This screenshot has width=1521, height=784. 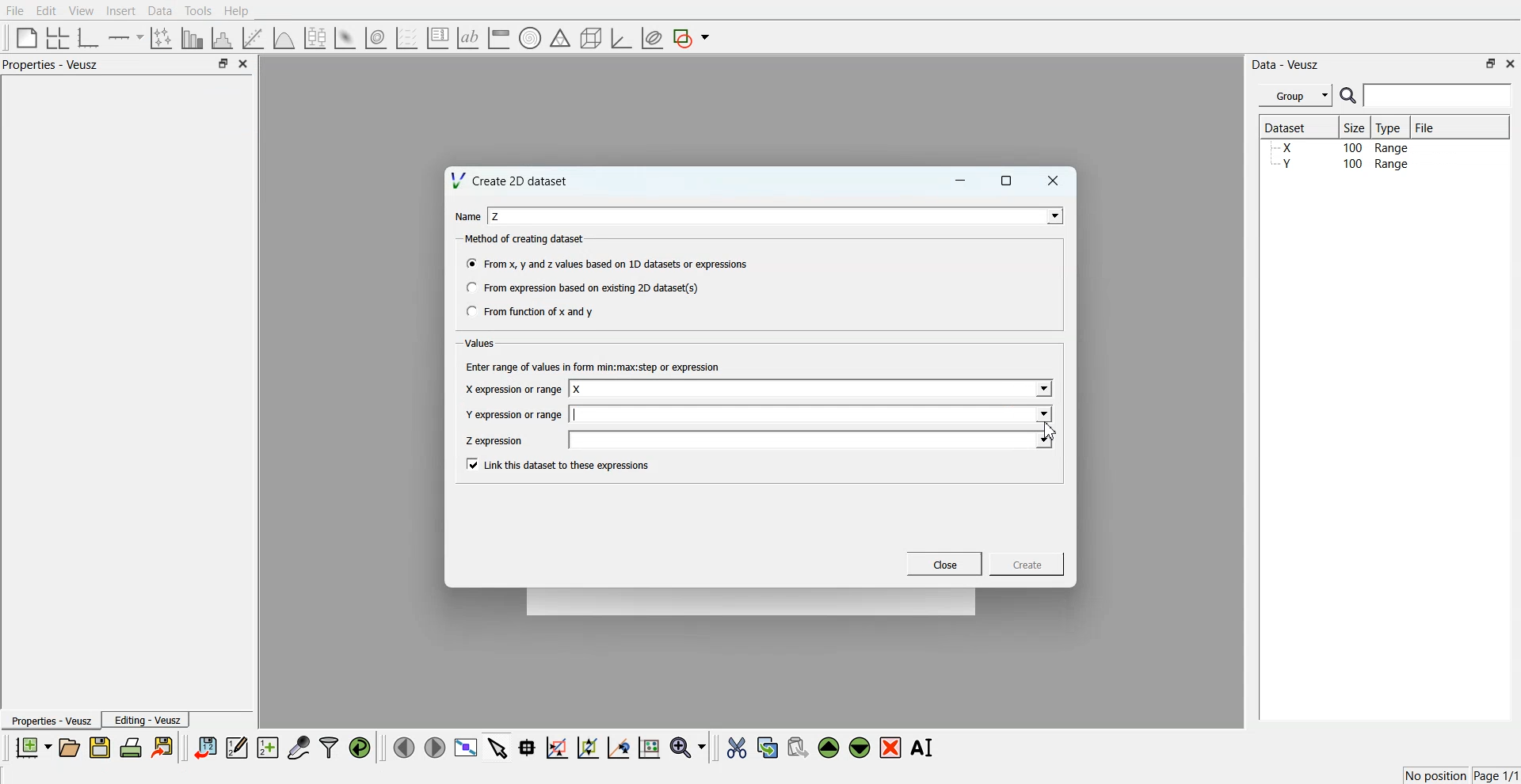 What do you see at coordinates (556, 748) in the screenshot?
I see `Draw a rectangle to zoom graph axes` at bounding box center [556, 748].